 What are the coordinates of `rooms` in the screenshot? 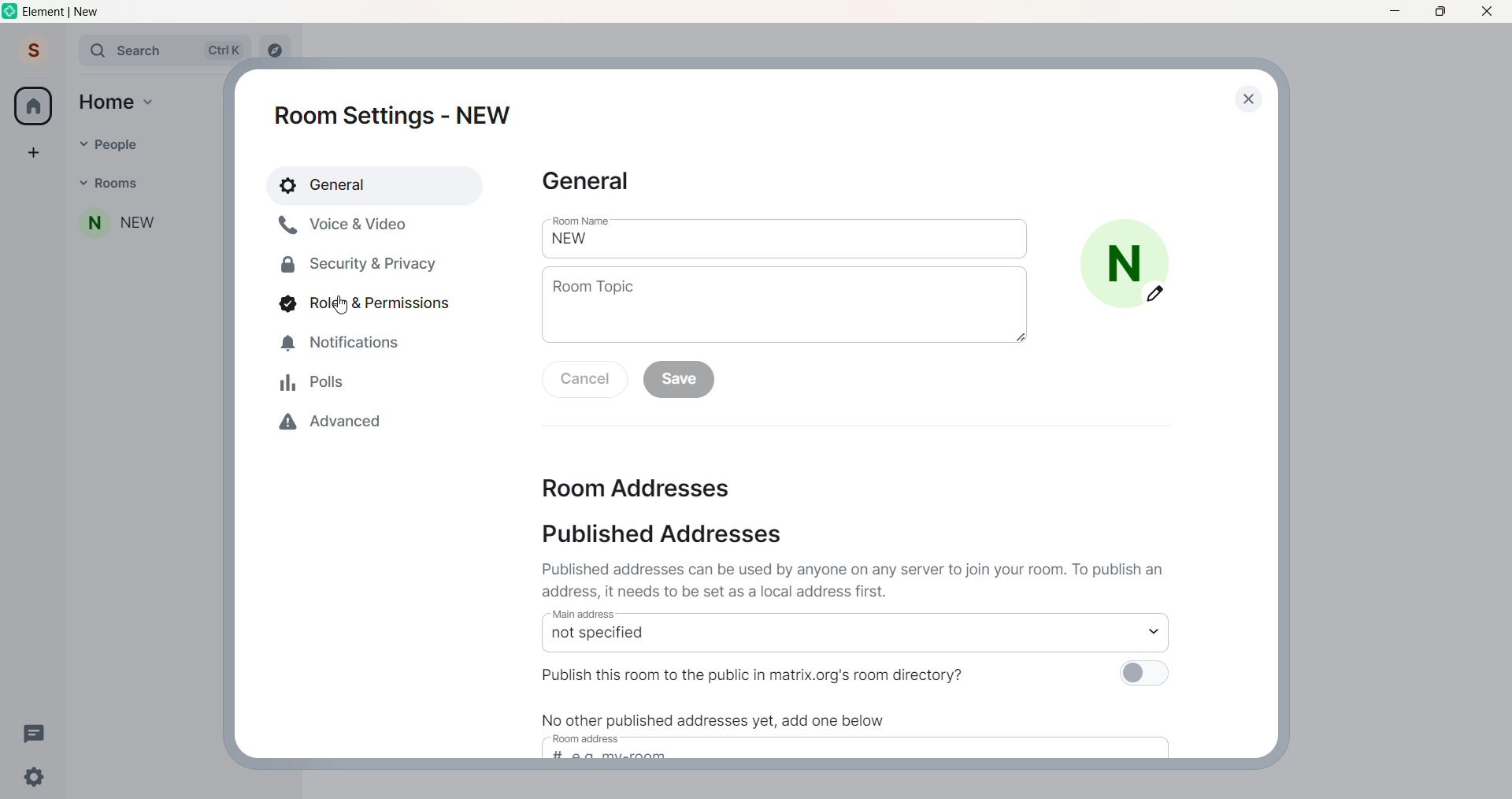 It's located at (114, 185).